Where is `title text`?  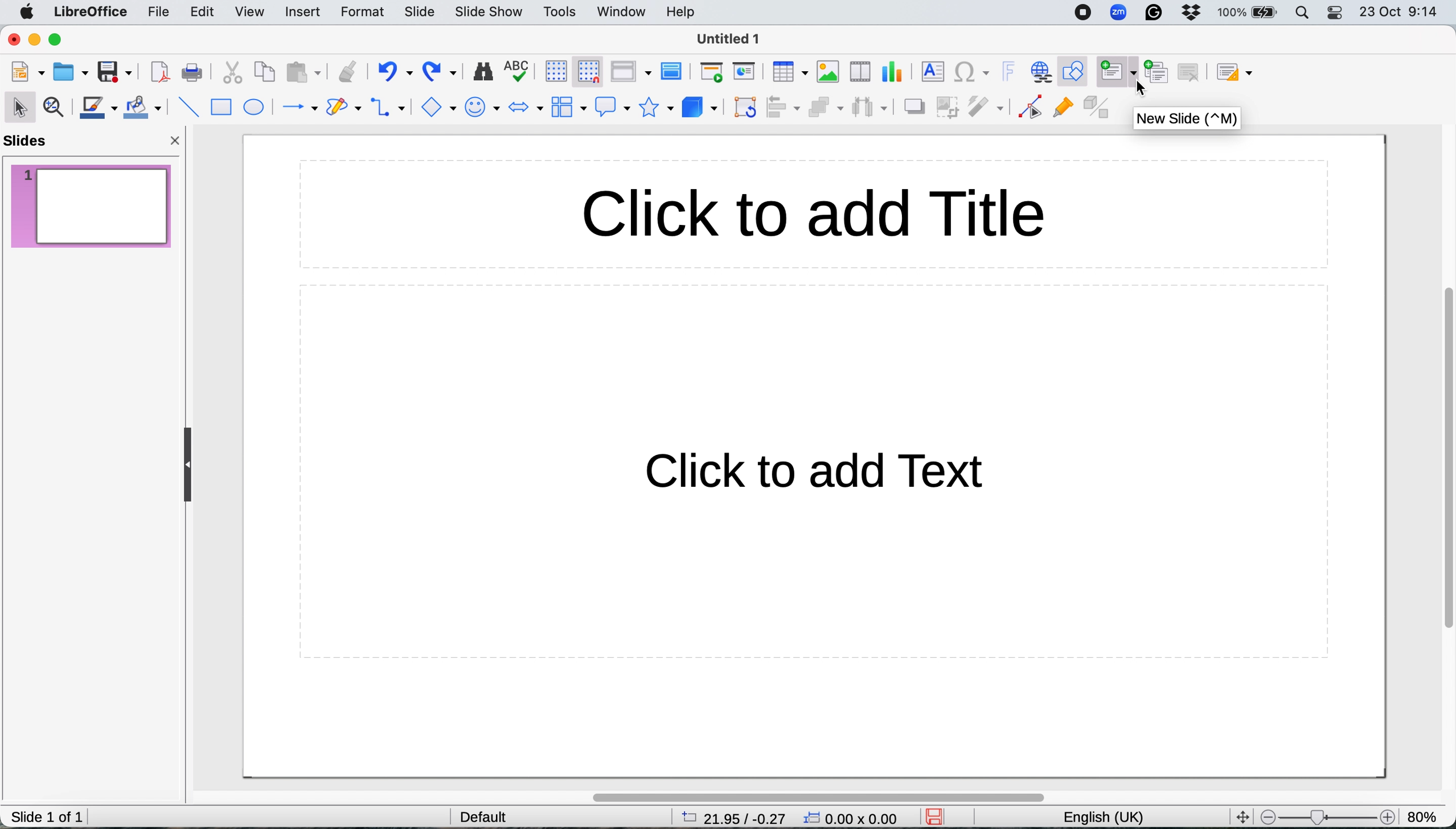 title text is located at coordinates (818, 215).